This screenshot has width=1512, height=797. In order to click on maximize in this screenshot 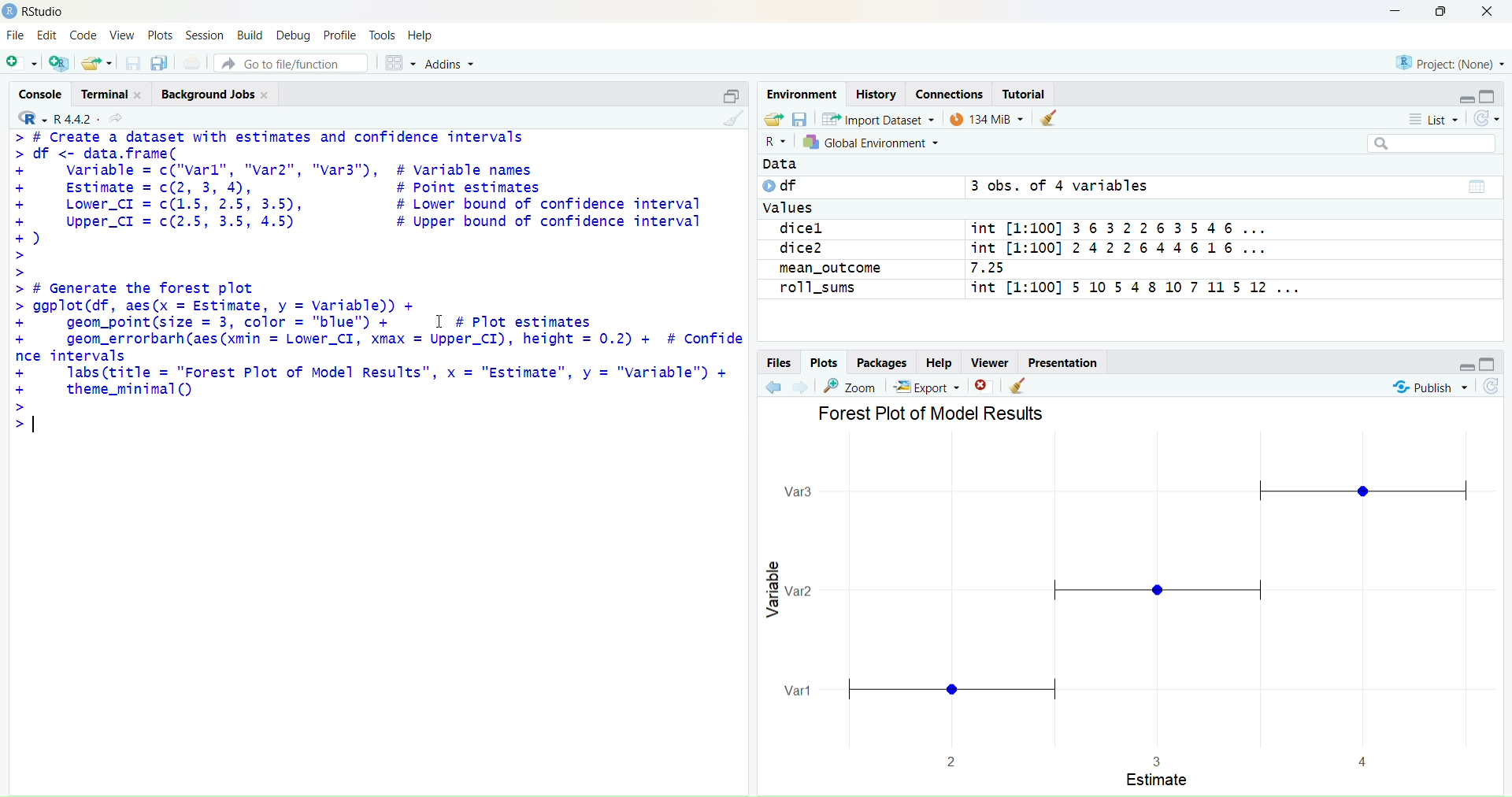, I will do `click(1485, 97)`.